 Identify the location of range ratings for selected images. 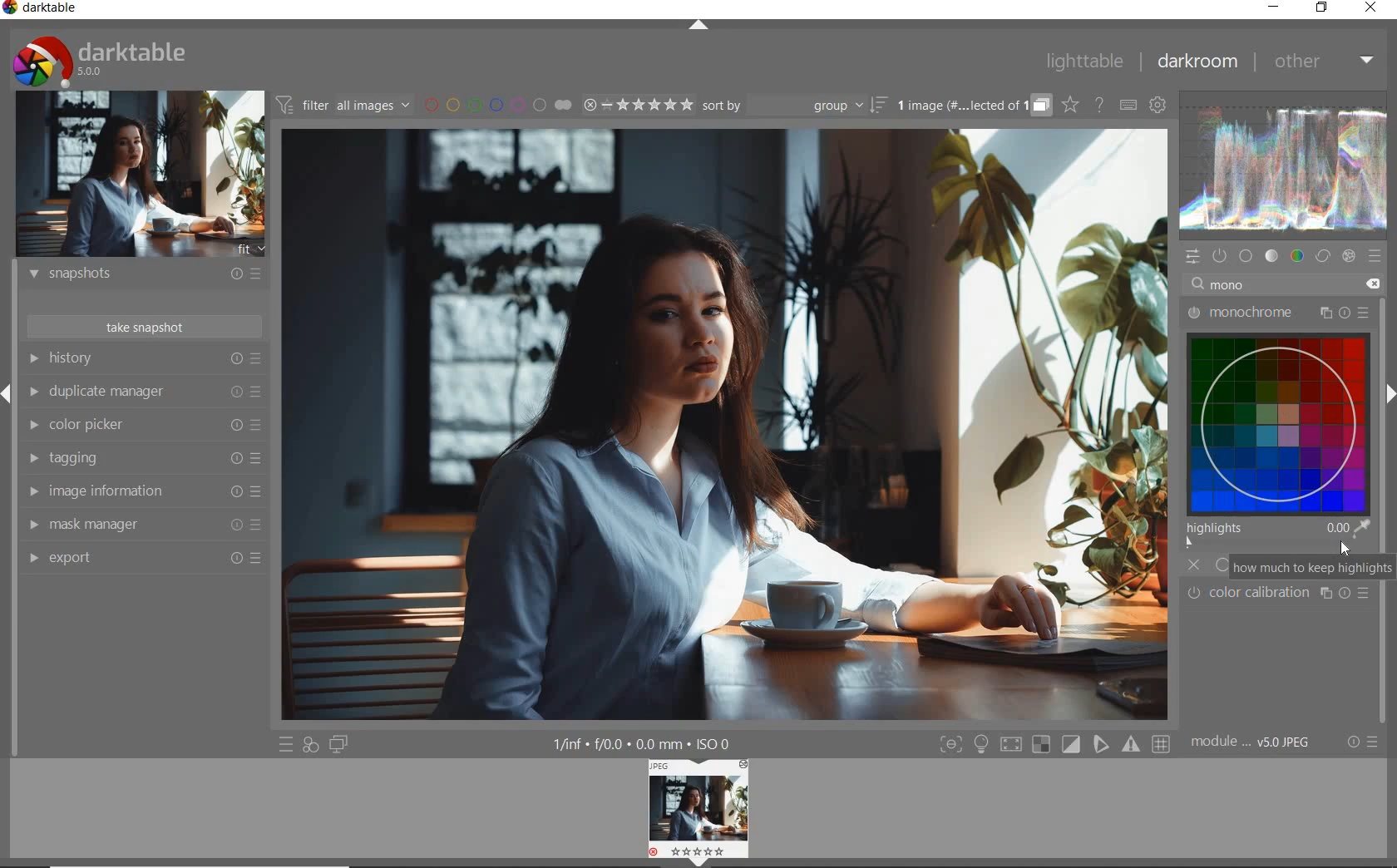
(637, 106).